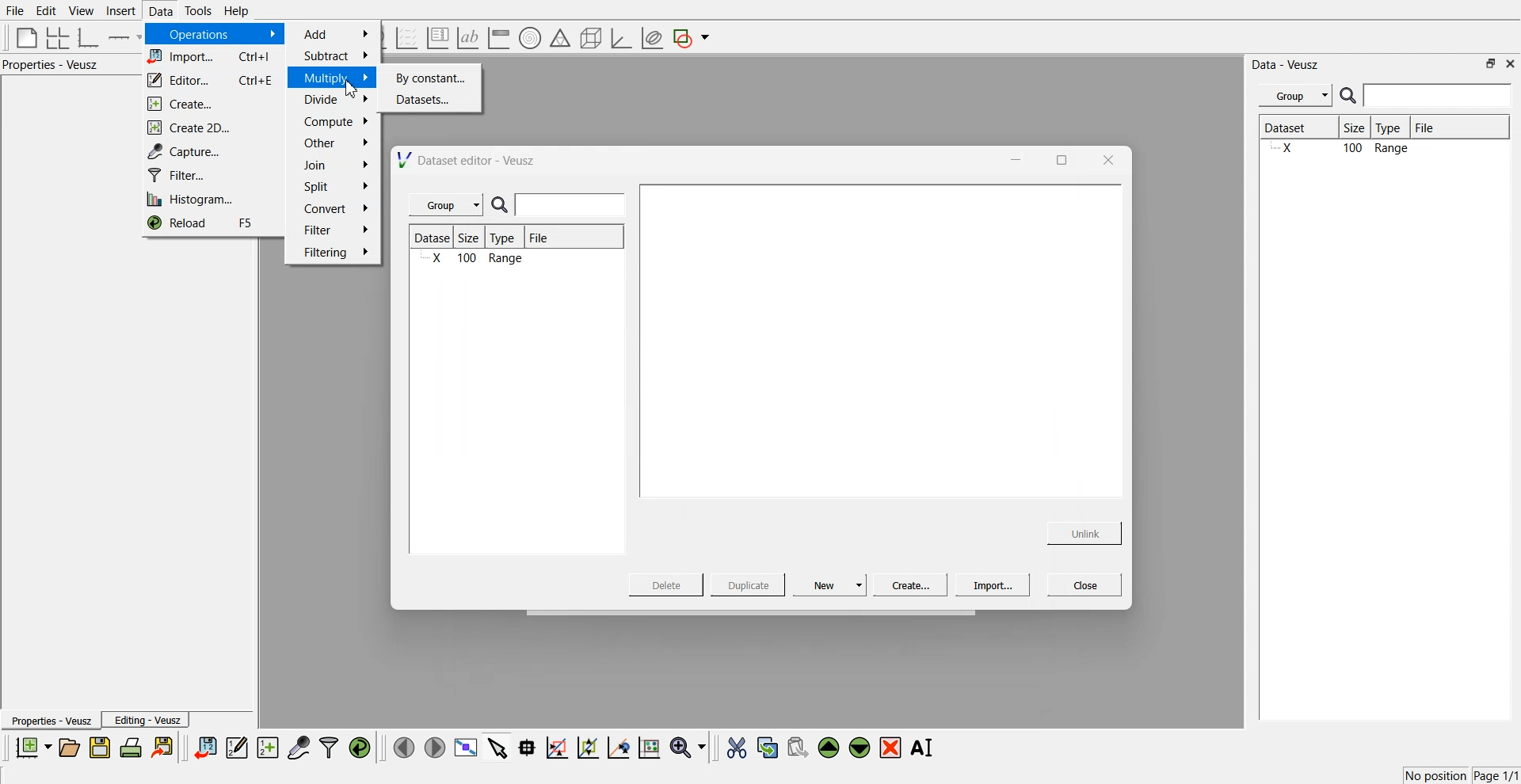 Image resolution: width=1521 pixels, height=784 pixels. Describe the element at coordinates (51, 721) in the screenshot. I see `Properties - Veusz` at that location.